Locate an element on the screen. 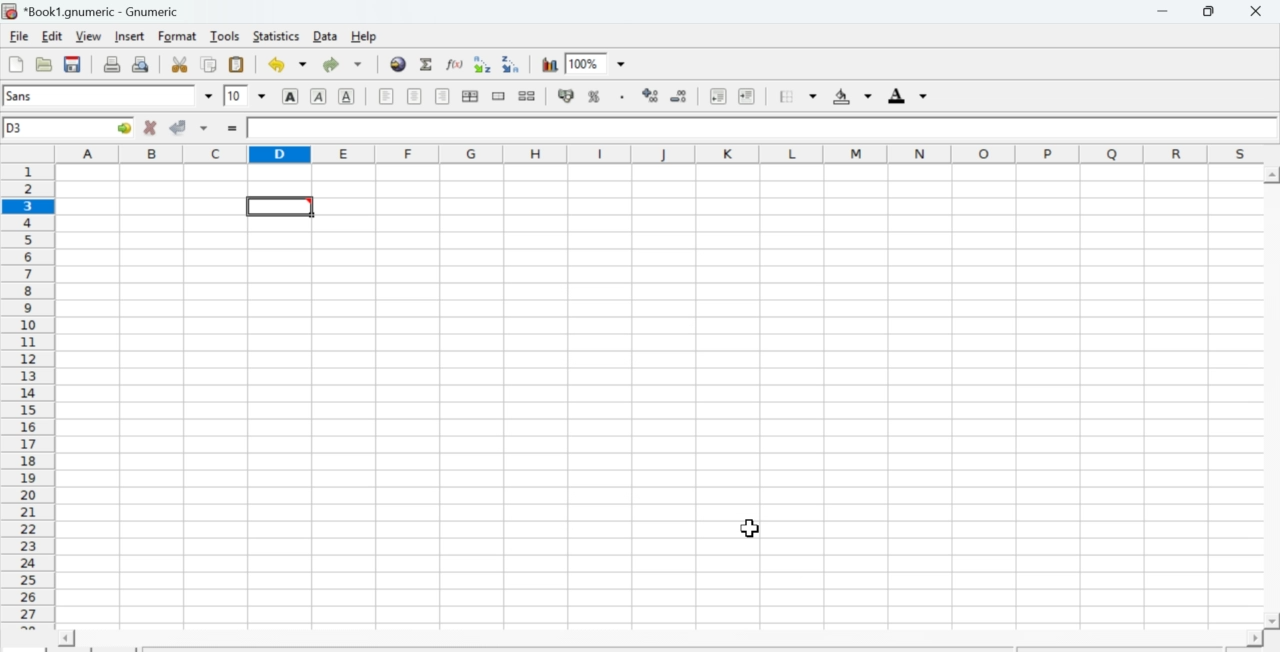 This screenshot has height=652, width=1280. Print preview is located at coordinates (144, 64).